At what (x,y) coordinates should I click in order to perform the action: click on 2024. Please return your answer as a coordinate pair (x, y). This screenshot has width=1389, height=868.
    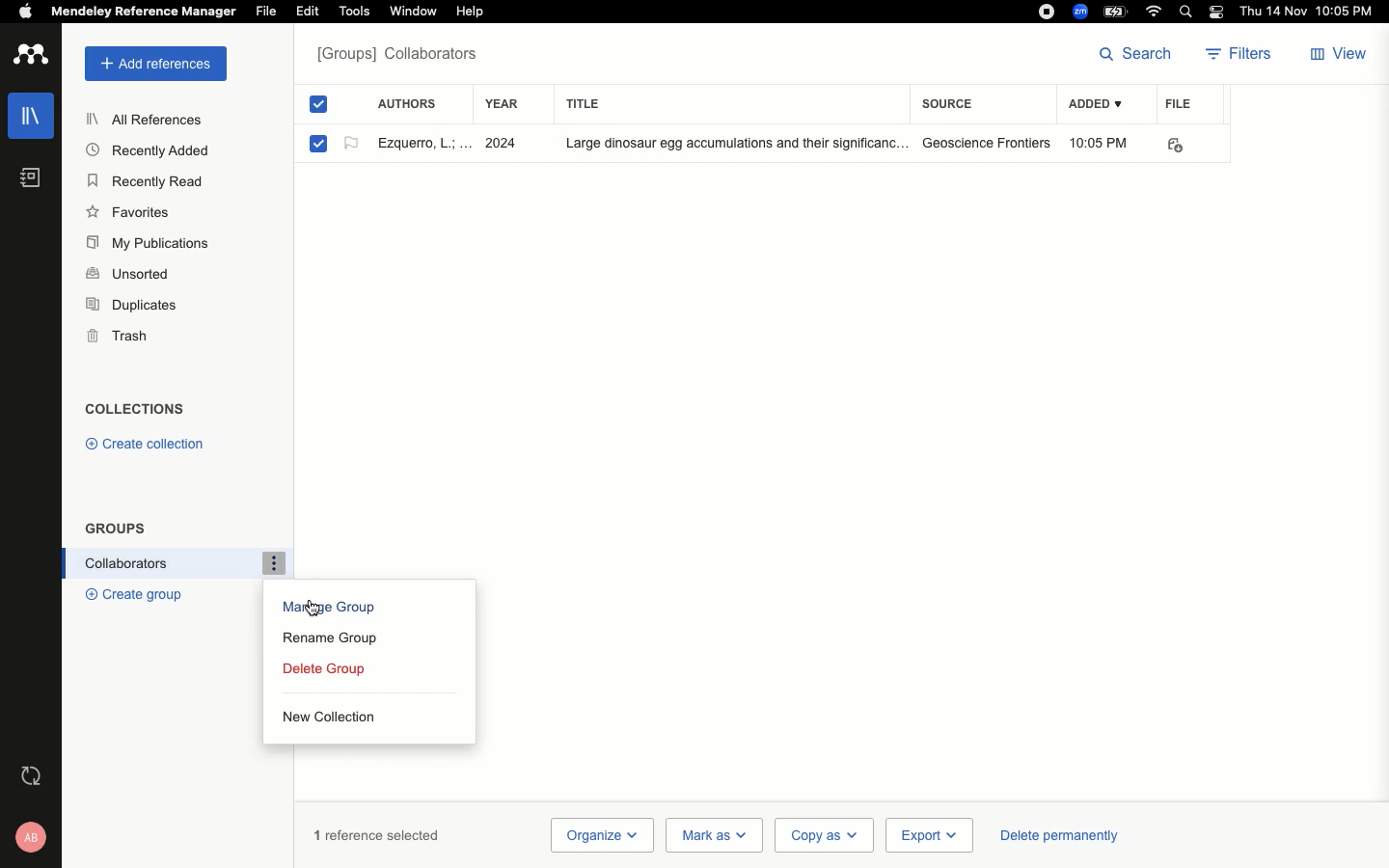
    Looking at the image, I should click on (505, 144).